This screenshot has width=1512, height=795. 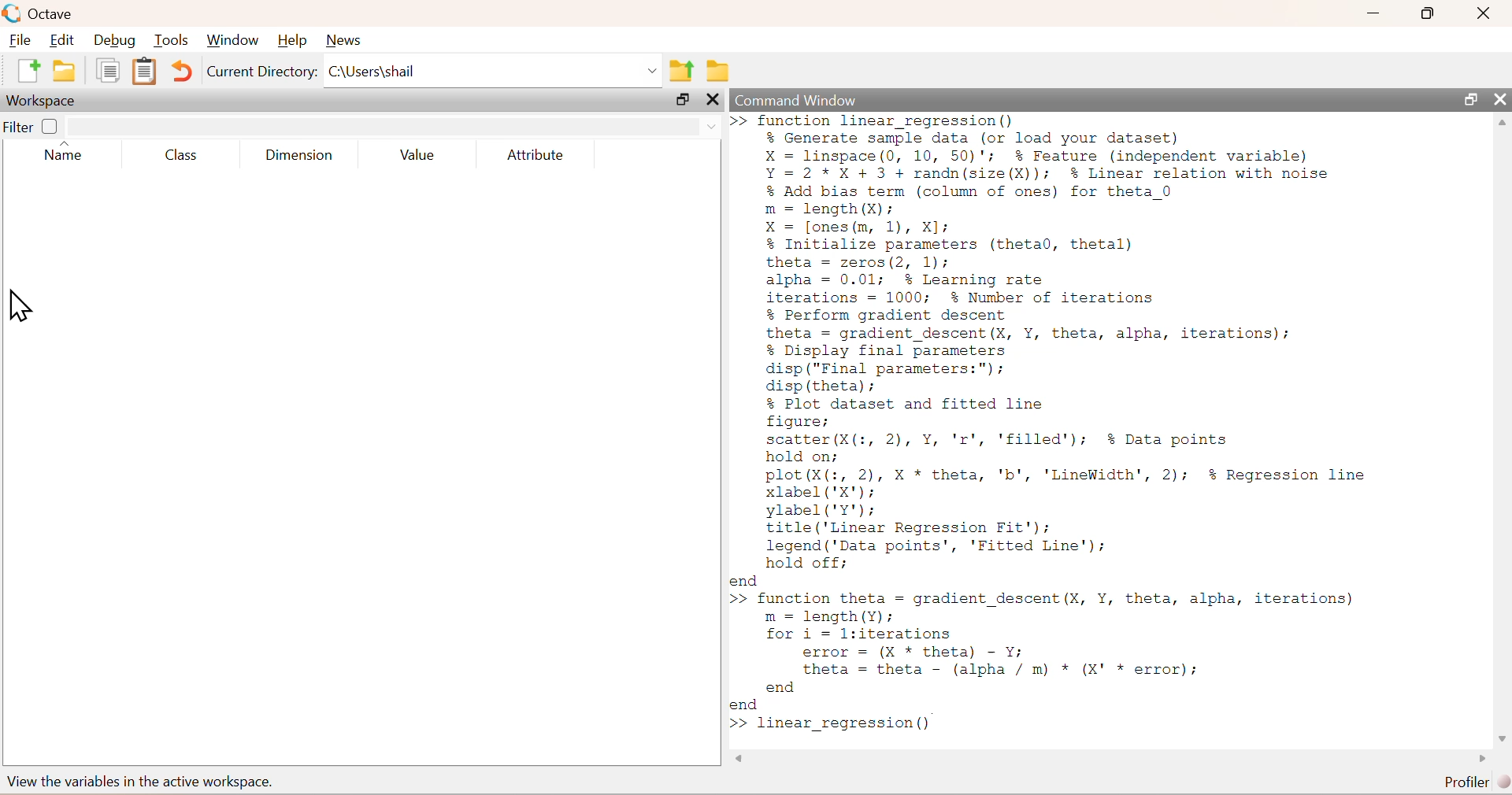 I want to click on document, so click(x=108, y=70).